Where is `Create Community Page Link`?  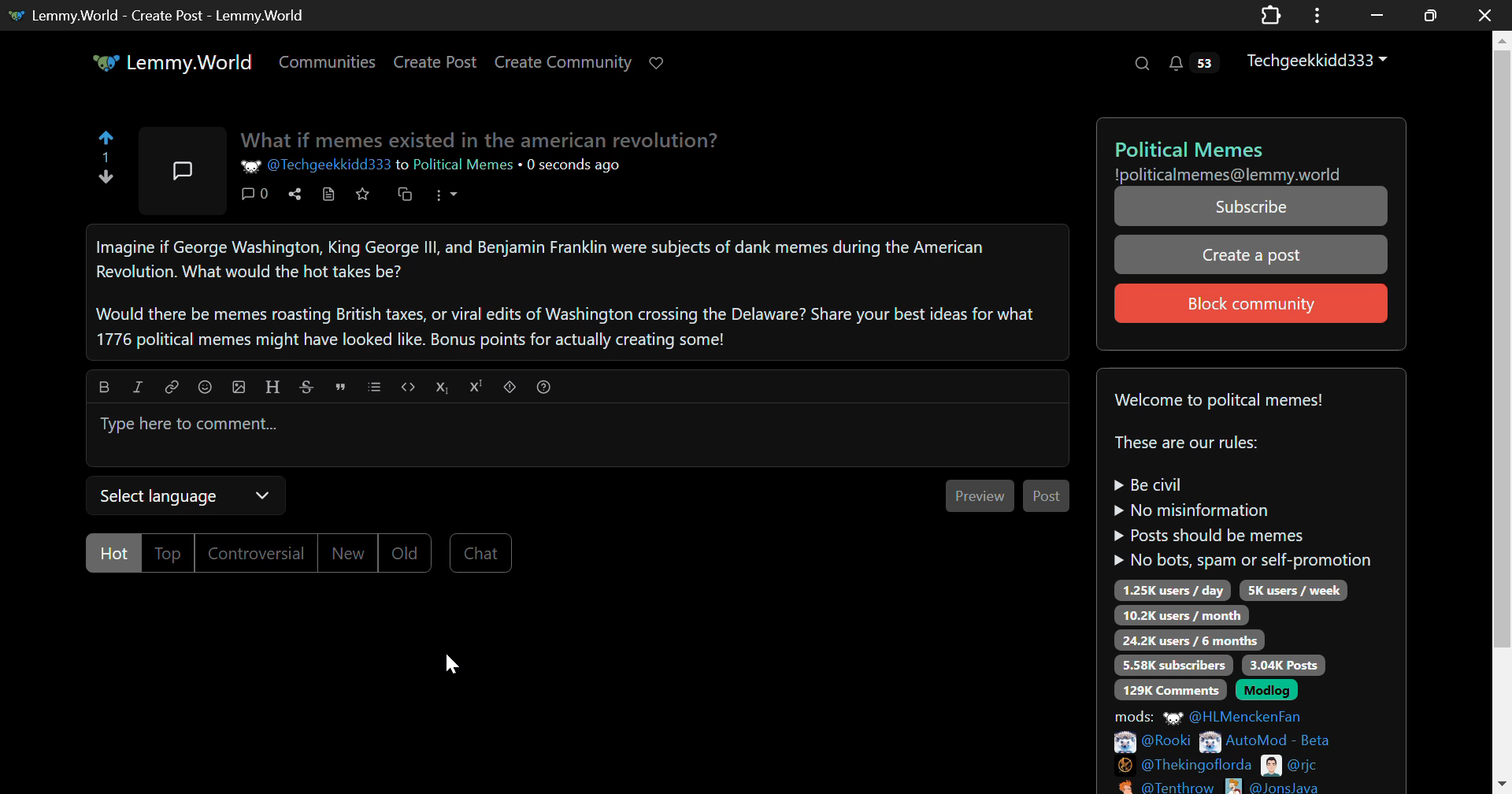 Create Community Page Link is located at coordinates (564, 61).